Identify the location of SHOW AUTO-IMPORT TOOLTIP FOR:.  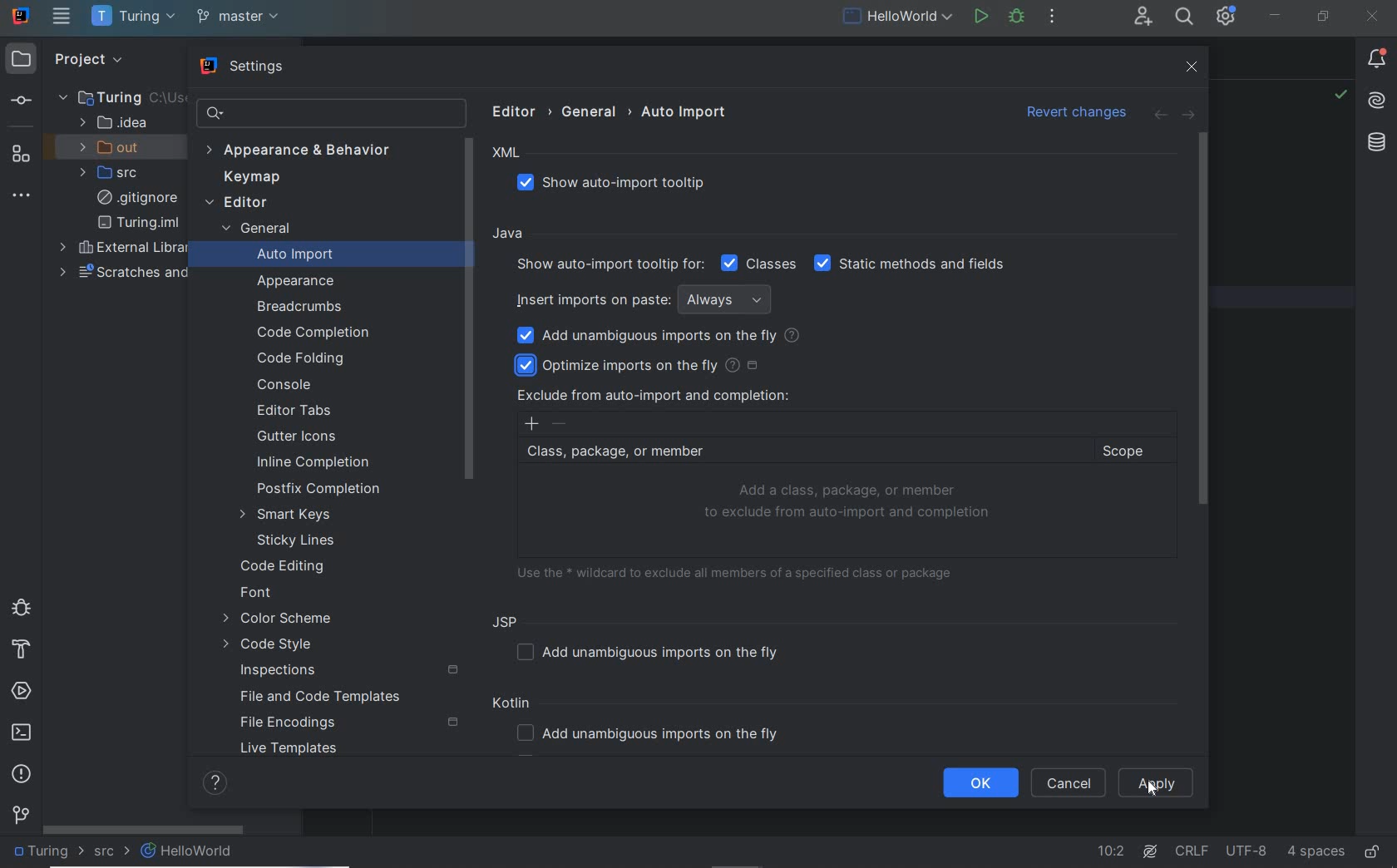
(608, 264).